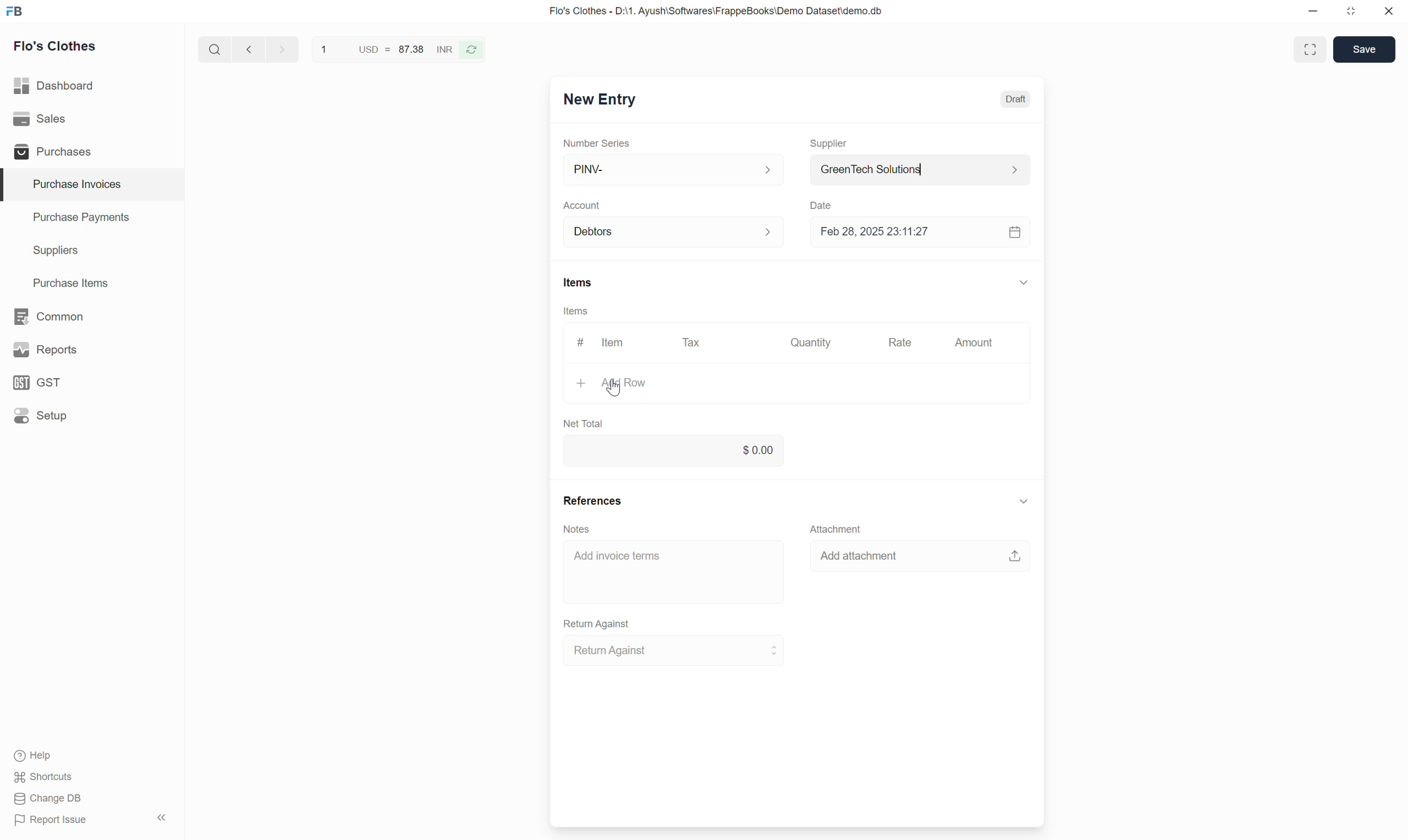 This screenshot has width=1408, height=840. Describe the element at coordinates (91, 415) in the screenshot. I see `Setup` at that location.